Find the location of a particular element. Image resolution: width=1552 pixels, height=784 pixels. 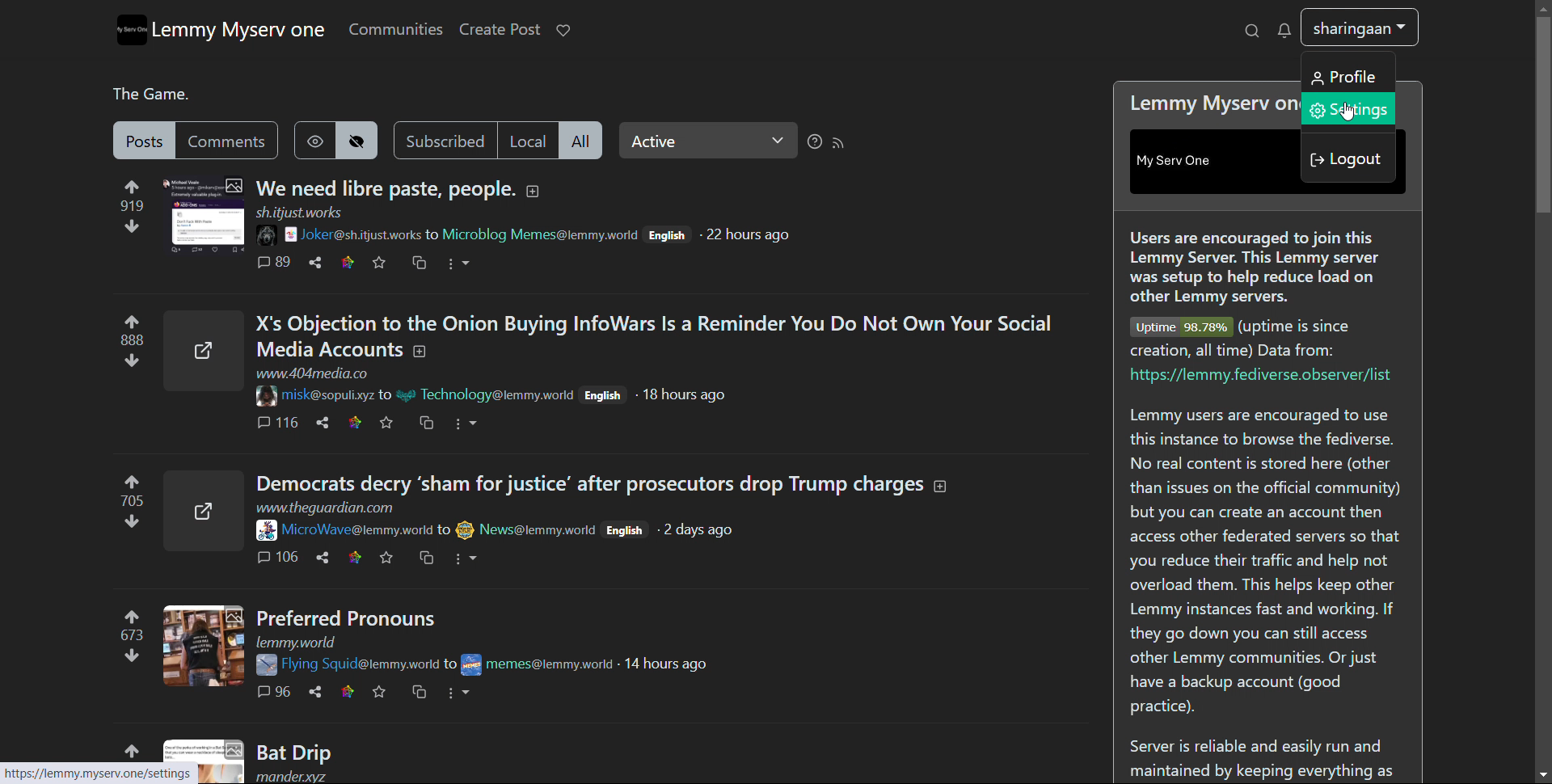

thumbnail is located at coordinates (205, 217).